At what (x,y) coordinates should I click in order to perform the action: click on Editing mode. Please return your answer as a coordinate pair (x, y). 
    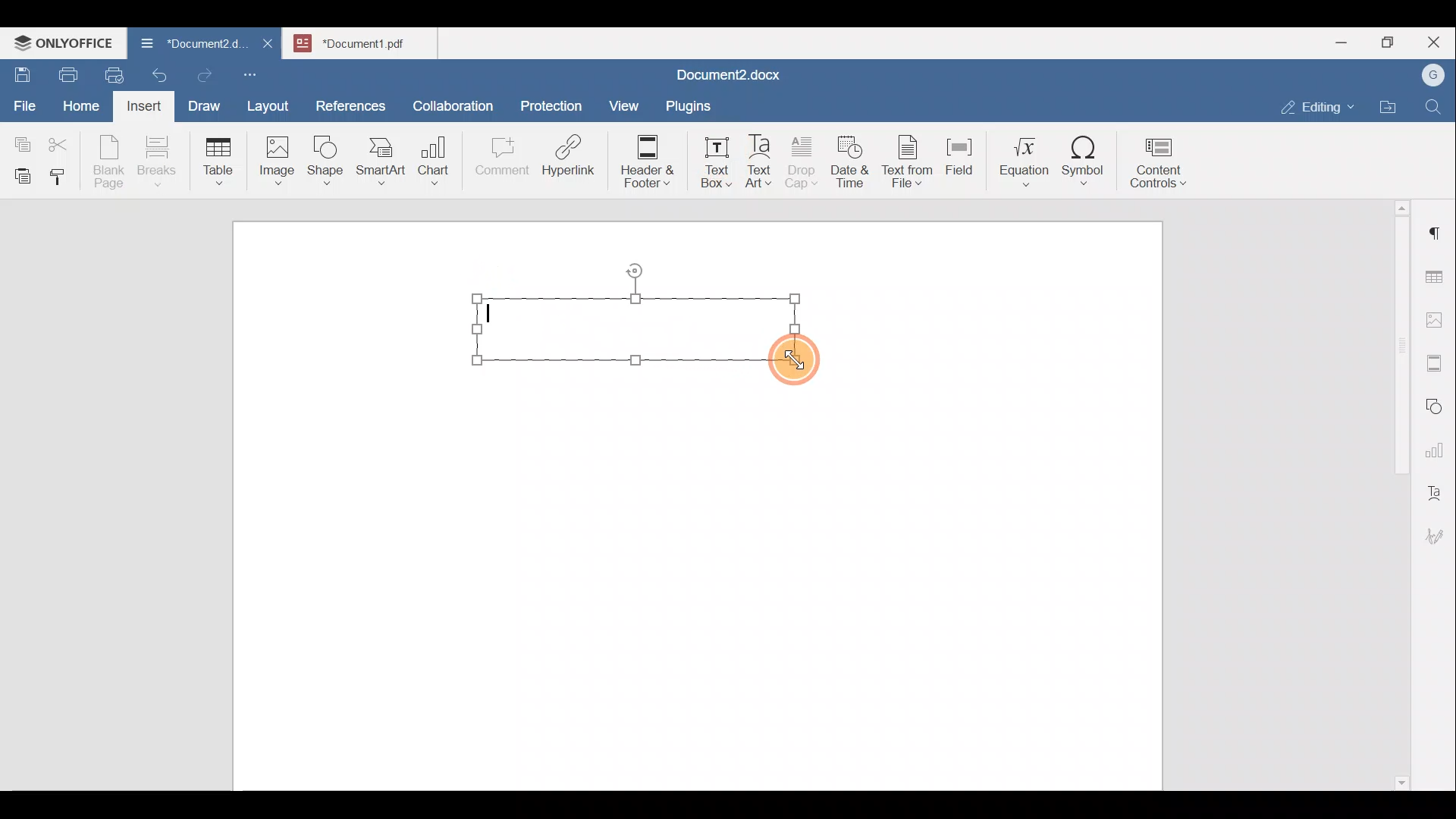
    Looking at the image, I should click on (1318, 104).